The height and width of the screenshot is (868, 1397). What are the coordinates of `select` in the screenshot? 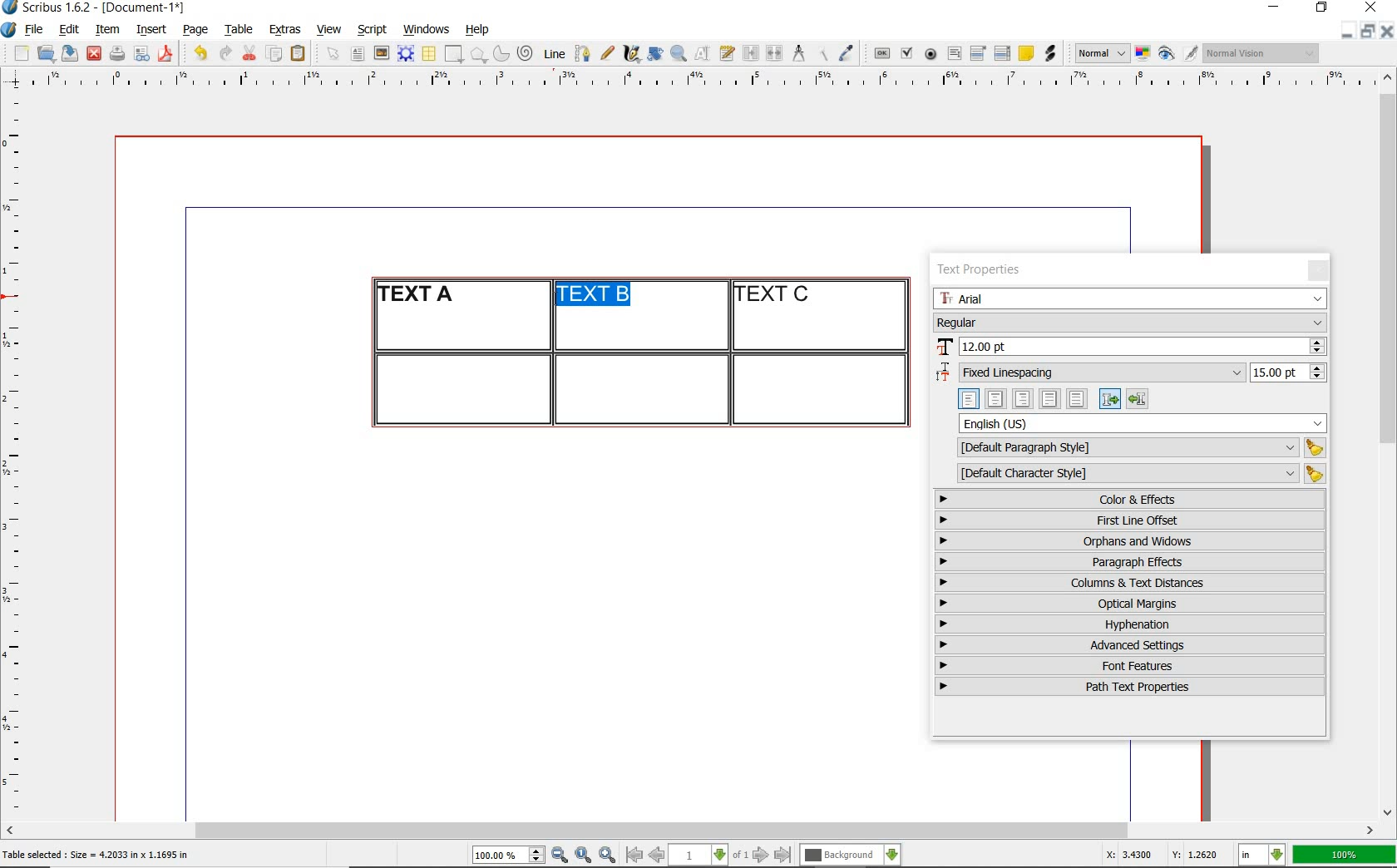 It's located at (334, 55).